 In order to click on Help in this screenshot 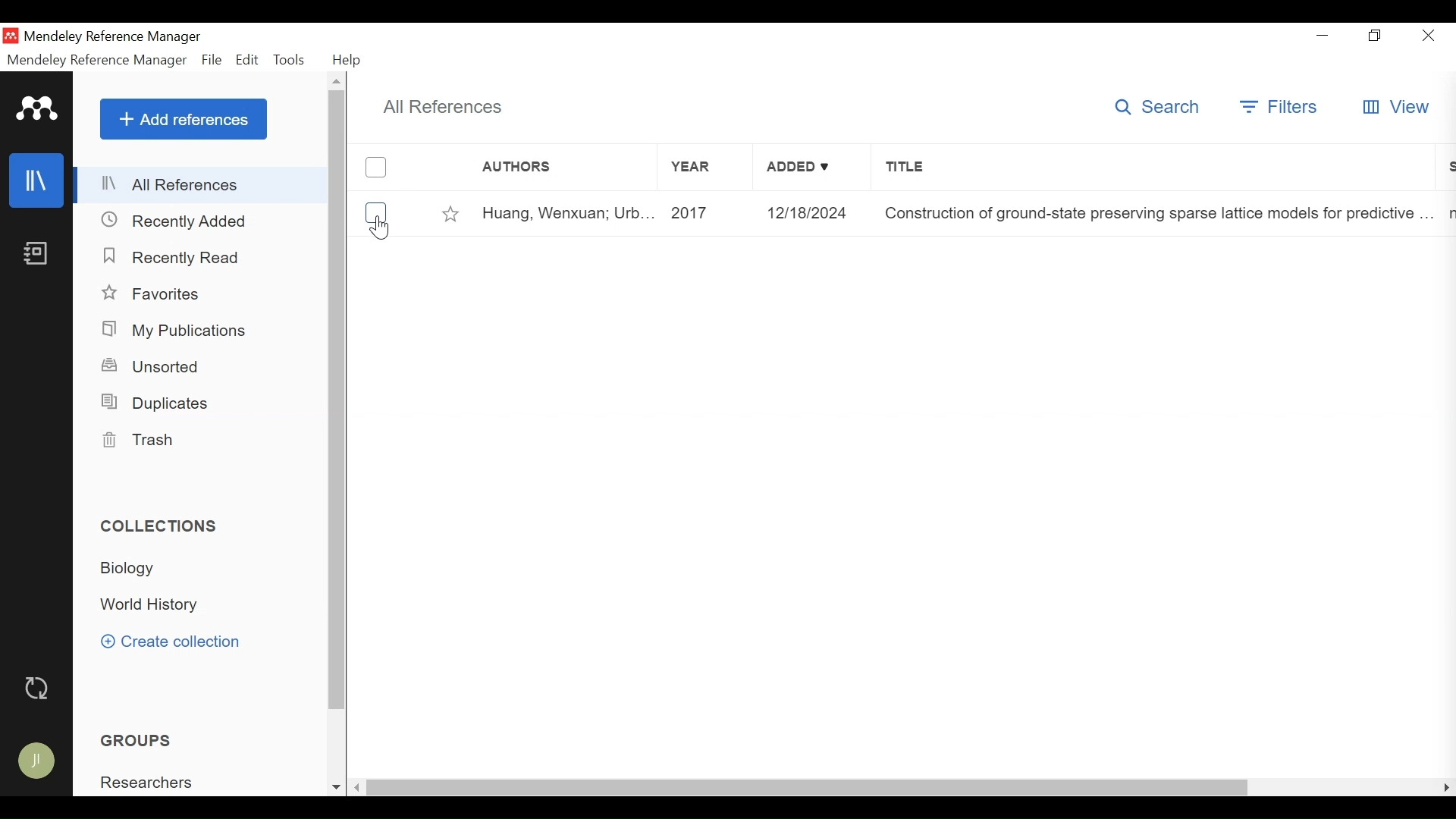, I will do `click(347, 60)`.